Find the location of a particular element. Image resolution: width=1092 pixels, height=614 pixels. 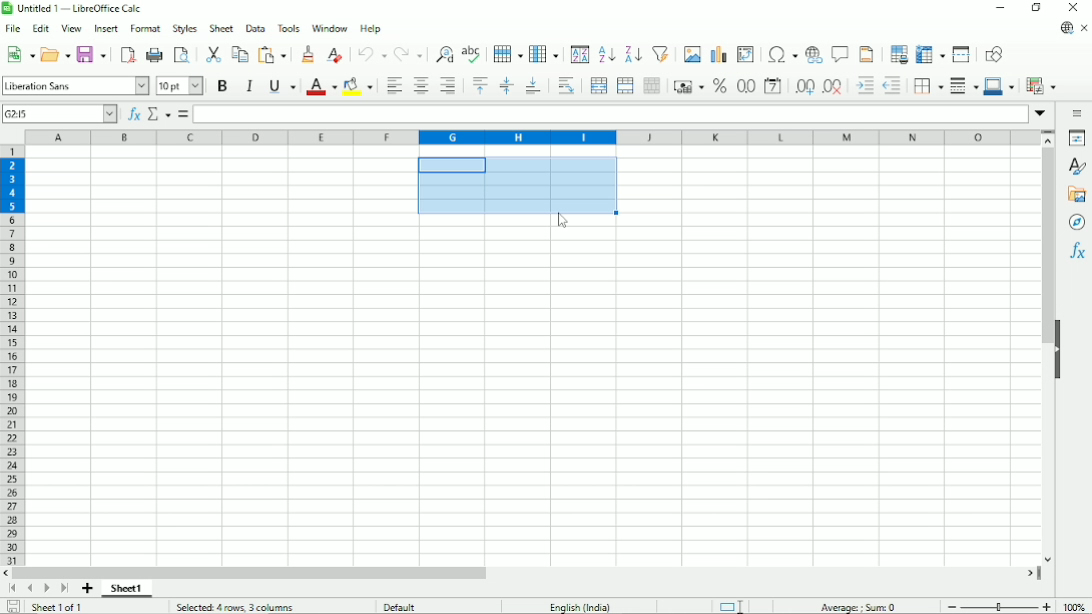

Unmerge cells is located at coordinates (652, 86).